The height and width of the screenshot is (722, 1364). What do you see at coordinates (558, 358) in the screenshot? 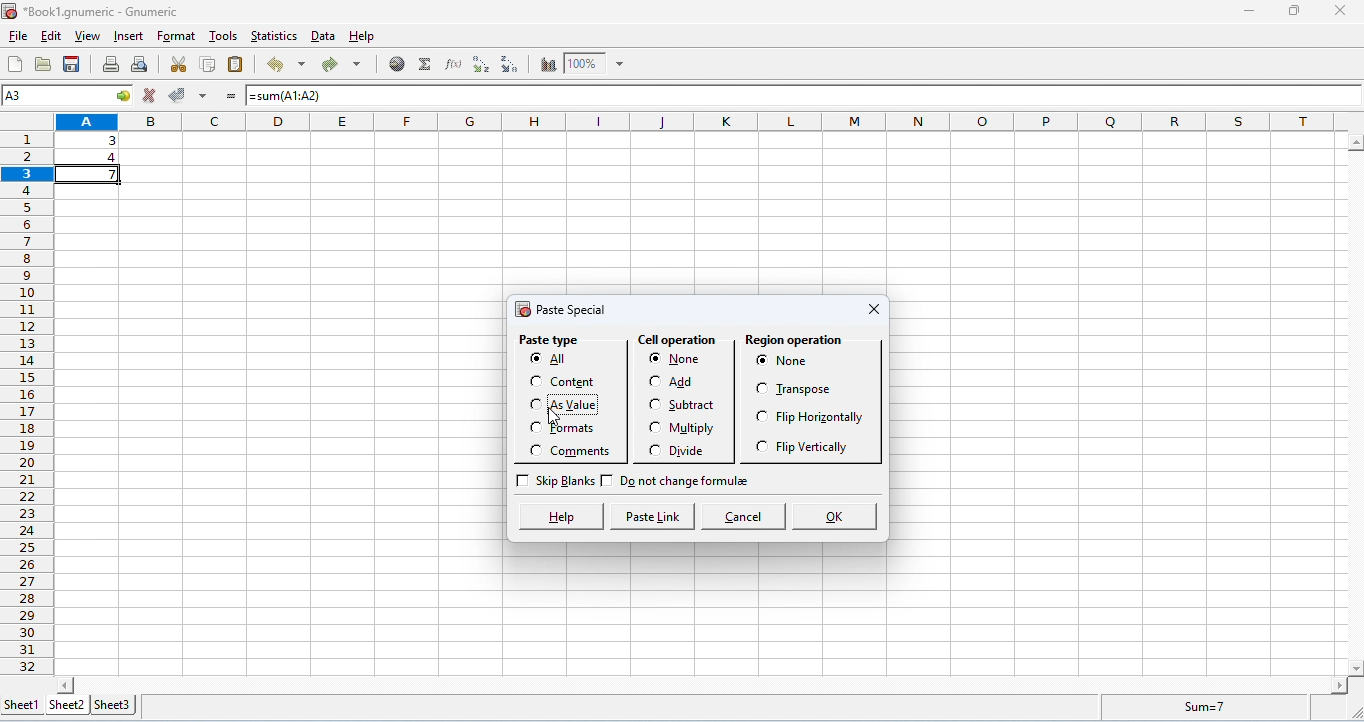
I see `All` at bounding box center [558, 358].